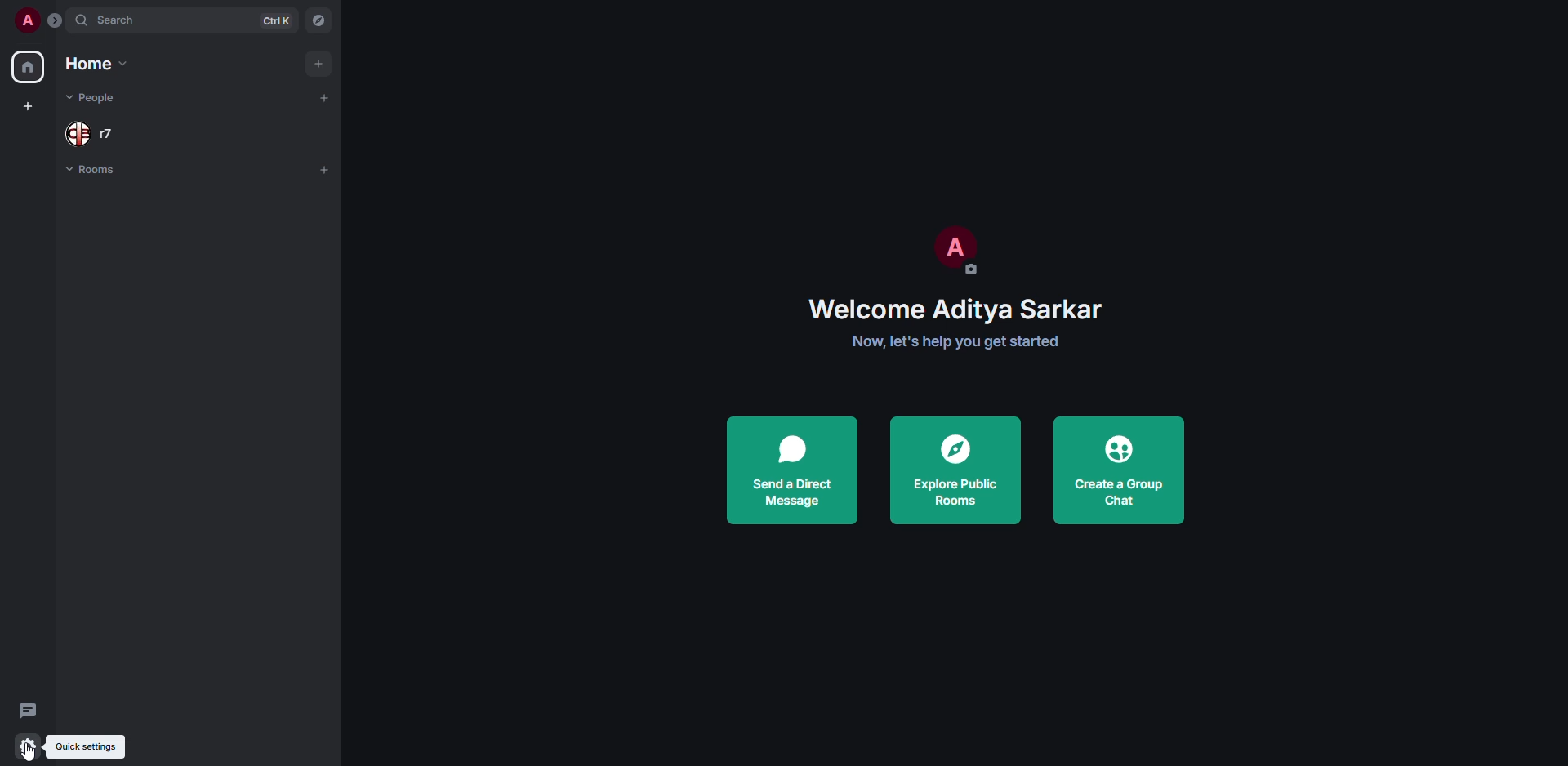 The image size is (1568, 766). What do you see at coordinates (947, 310) in the screenshot?
I see `Welcome Aditya Sarkar` at bounding box center [947, 310].